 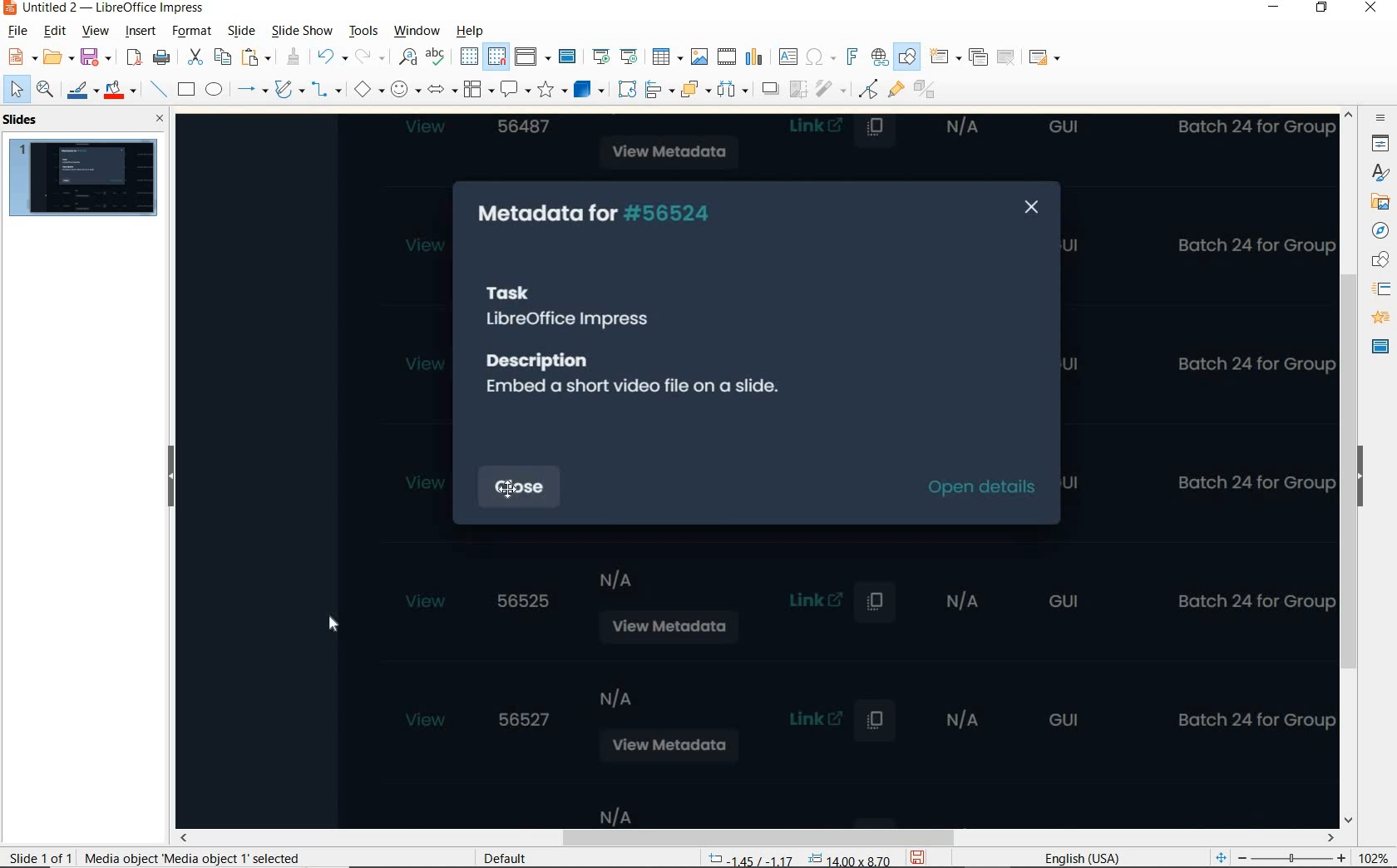 I want to click on INSERT AUDIO OR VIDEO, so click(x=728, y=57).